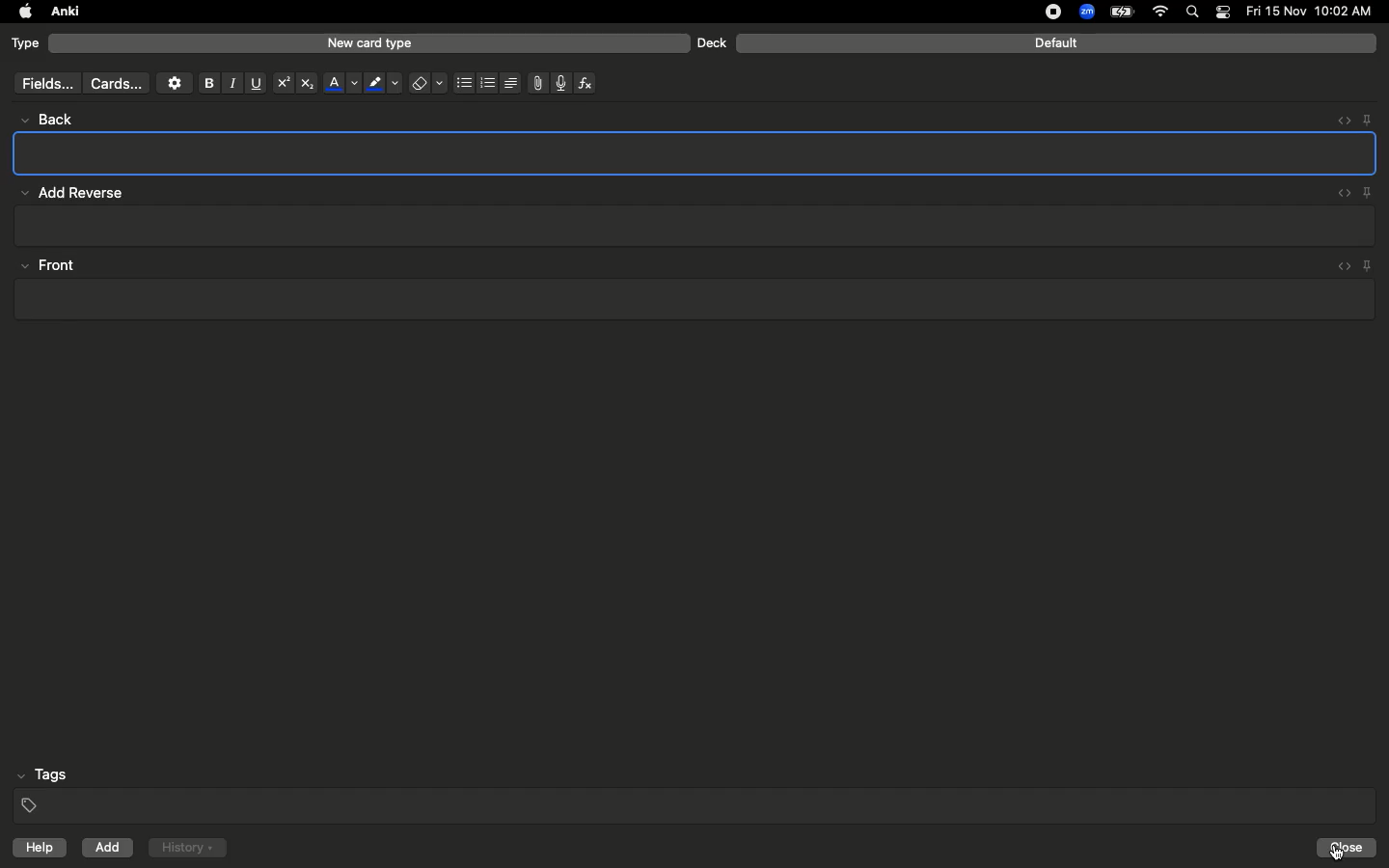  I want to click on Add, so click(109, 848).